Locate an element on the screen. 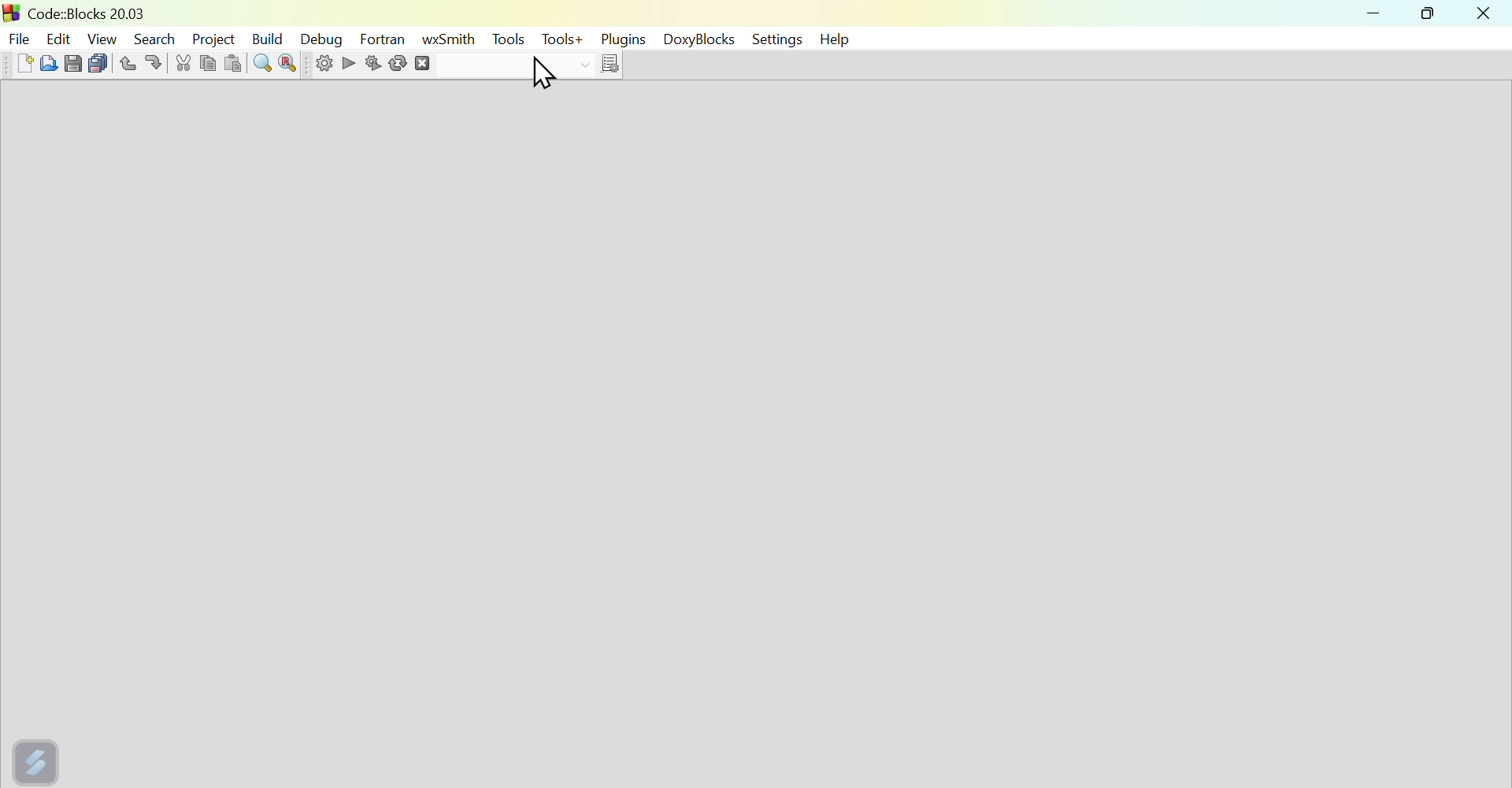 Image resolution: width=1512 pixels, height=788 pixels.  is located at coordinates (264, 64).